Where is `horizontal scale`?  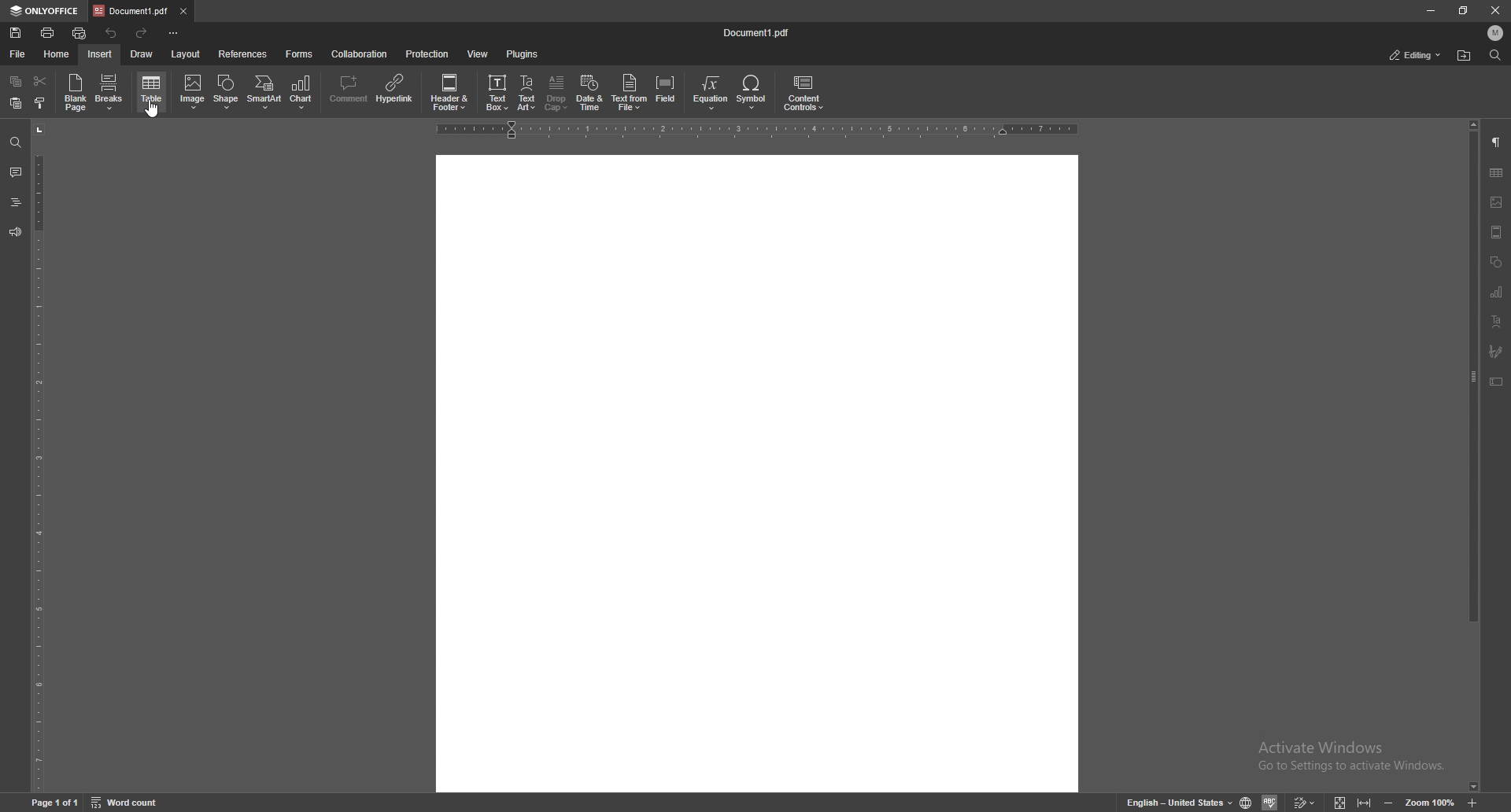
horizontal scale is located at coordinates (754, 131).